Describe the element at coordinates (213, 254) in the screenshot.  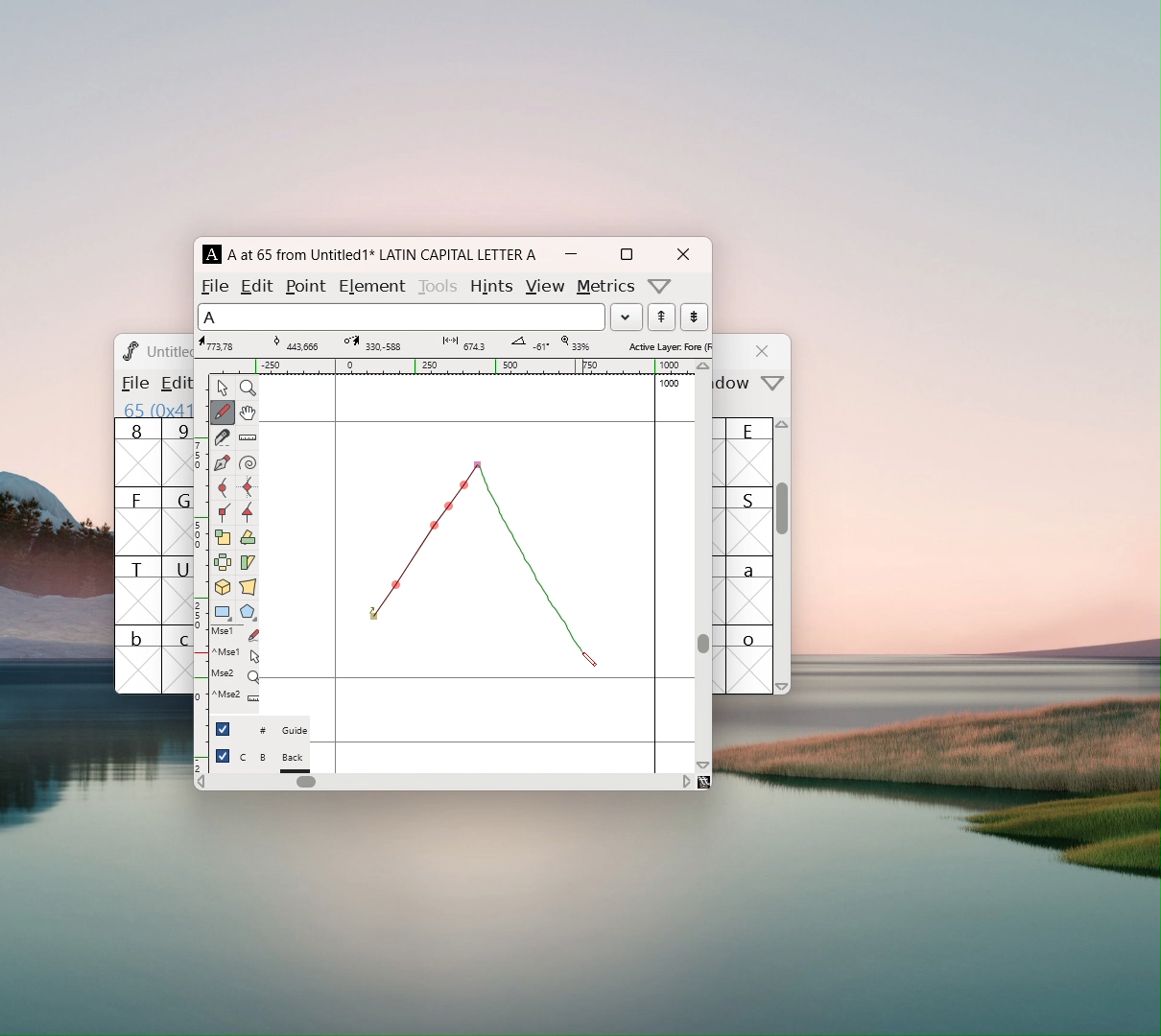
I see `A` at that location.